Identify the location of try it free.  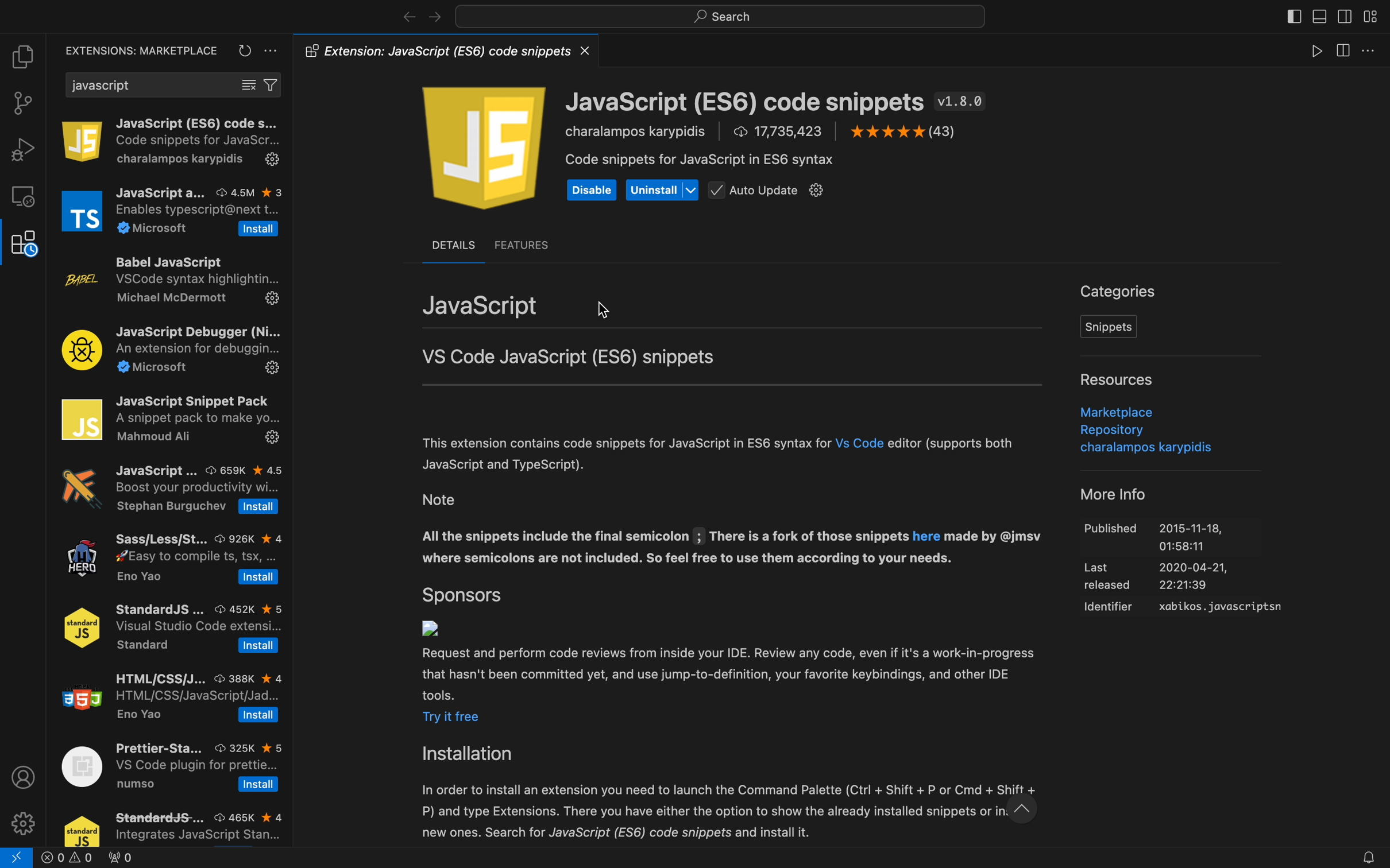
(455, 716).